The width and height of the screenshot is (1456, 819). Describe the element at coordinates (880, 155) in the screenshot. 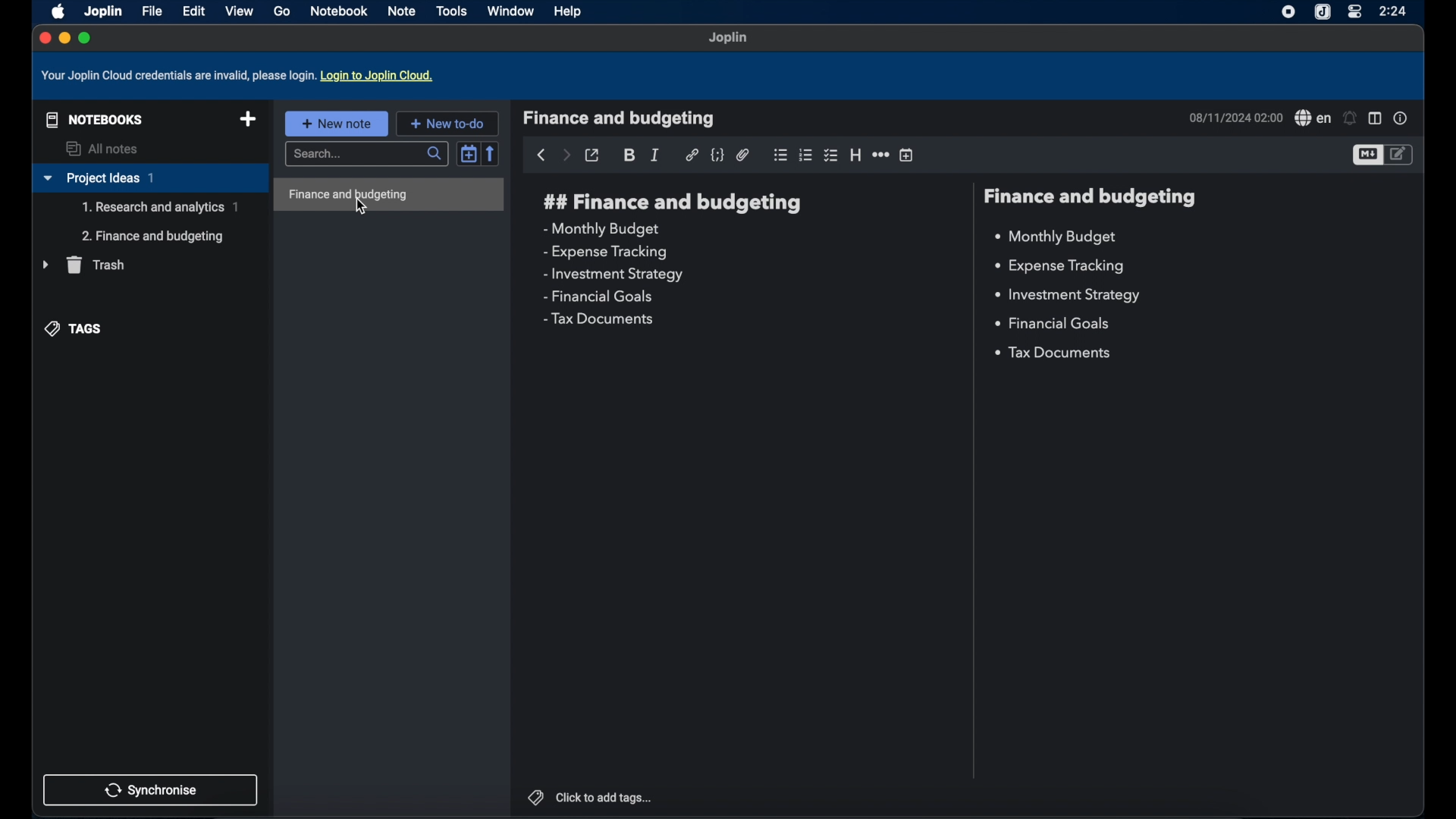

I see `horizontal rule` at that location.